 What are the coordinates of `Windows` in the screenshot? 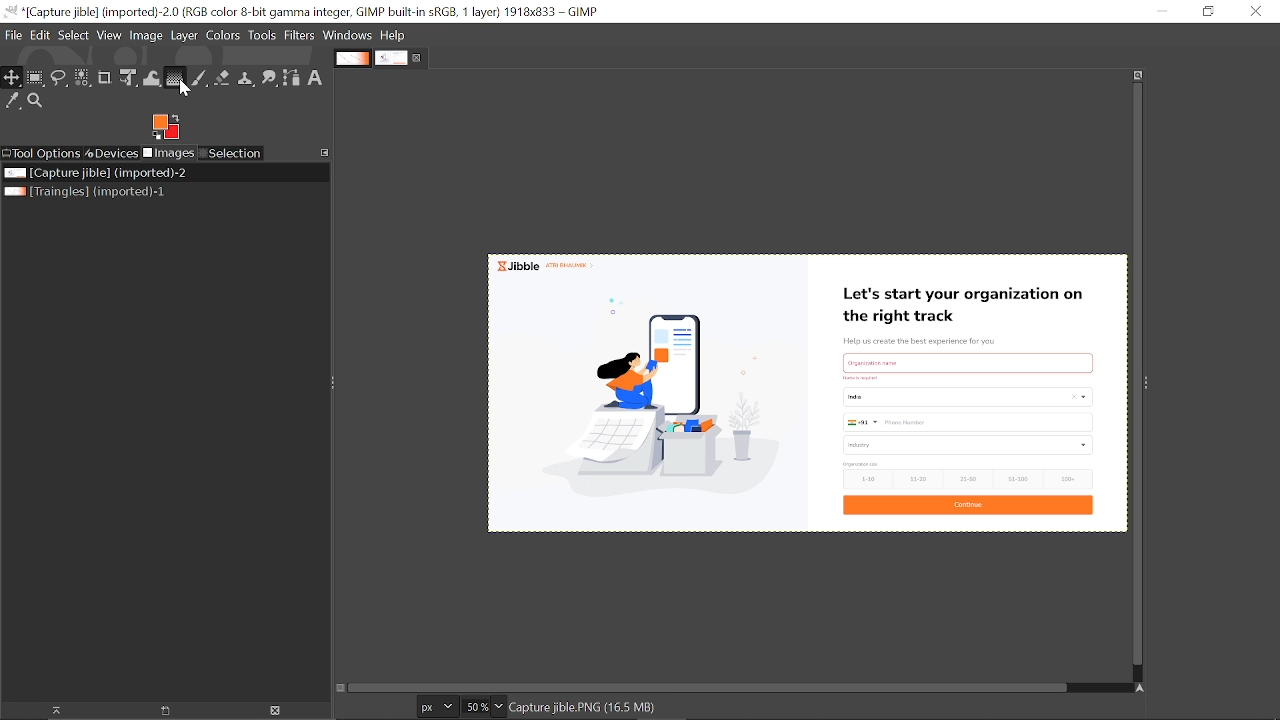 It's located at (348, 36).